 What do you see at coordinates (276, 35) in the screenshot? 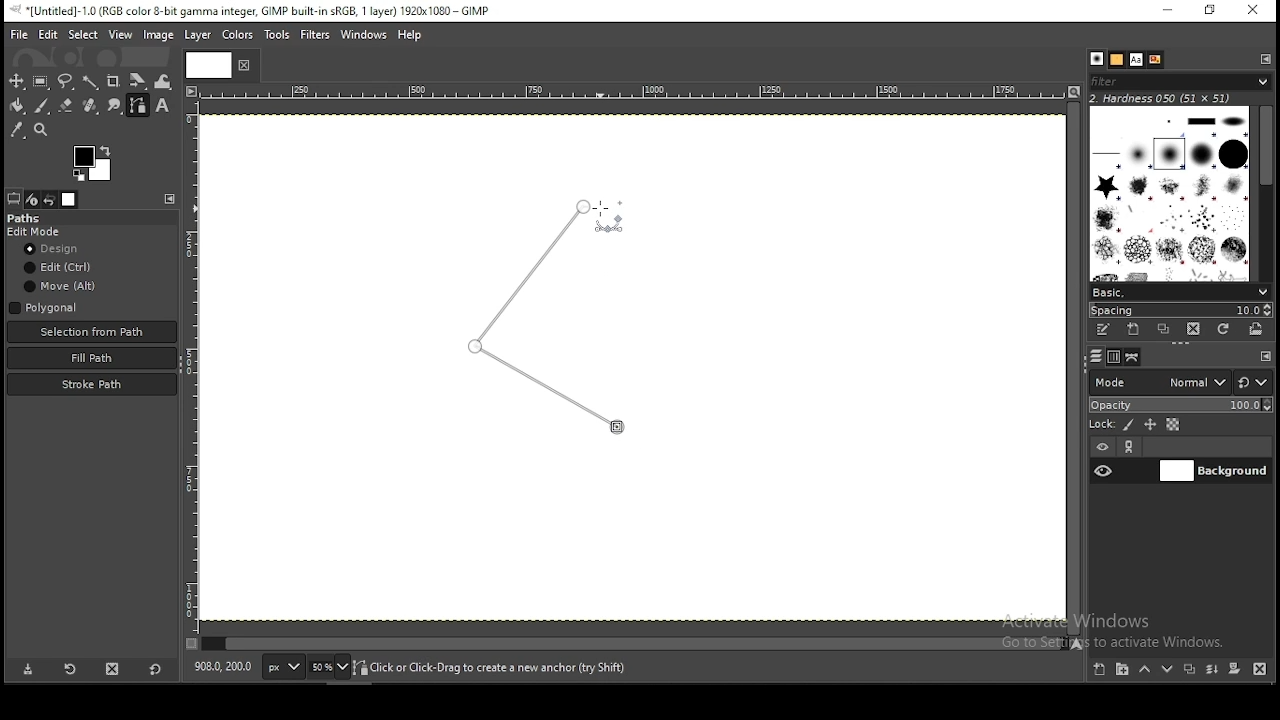
I see `tools` at bounding box center [276, 35].